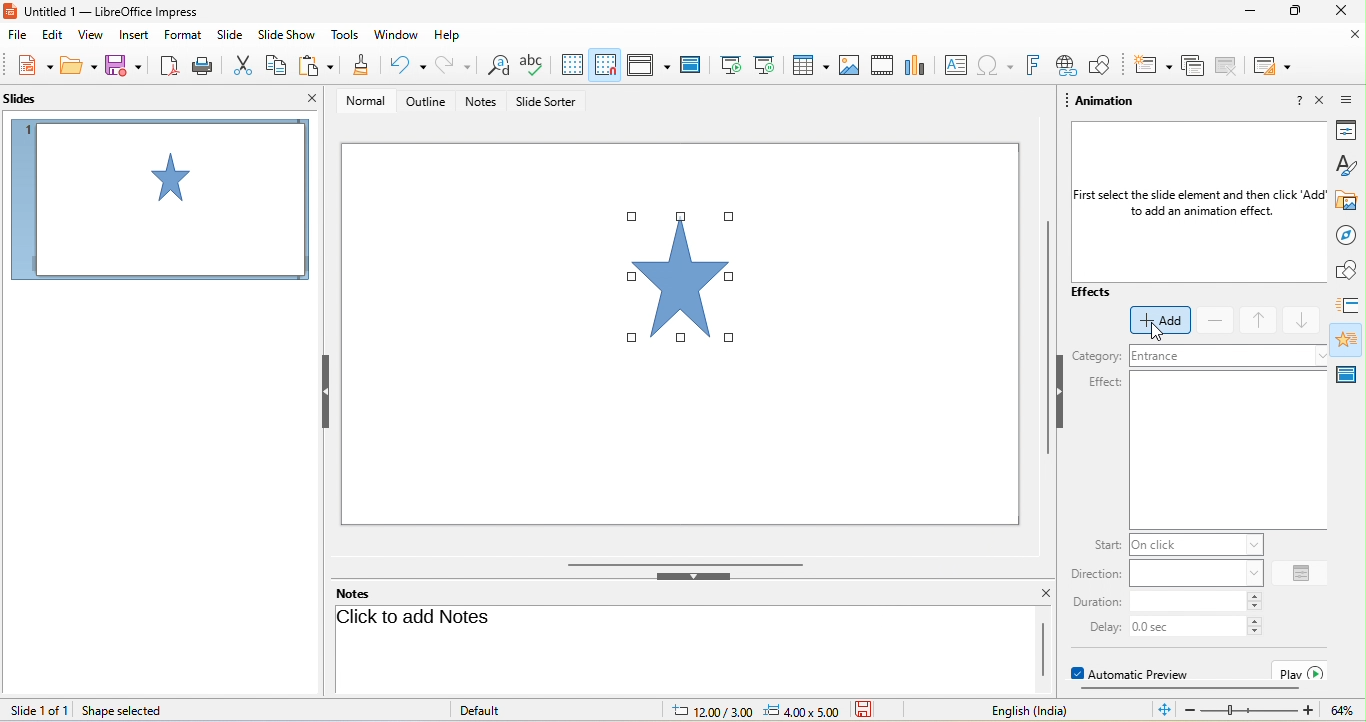 This screenshot has width=1366, height=722. Describe the element at coordinates (1260, 320) in the screenshot. I see `move up` at that location.